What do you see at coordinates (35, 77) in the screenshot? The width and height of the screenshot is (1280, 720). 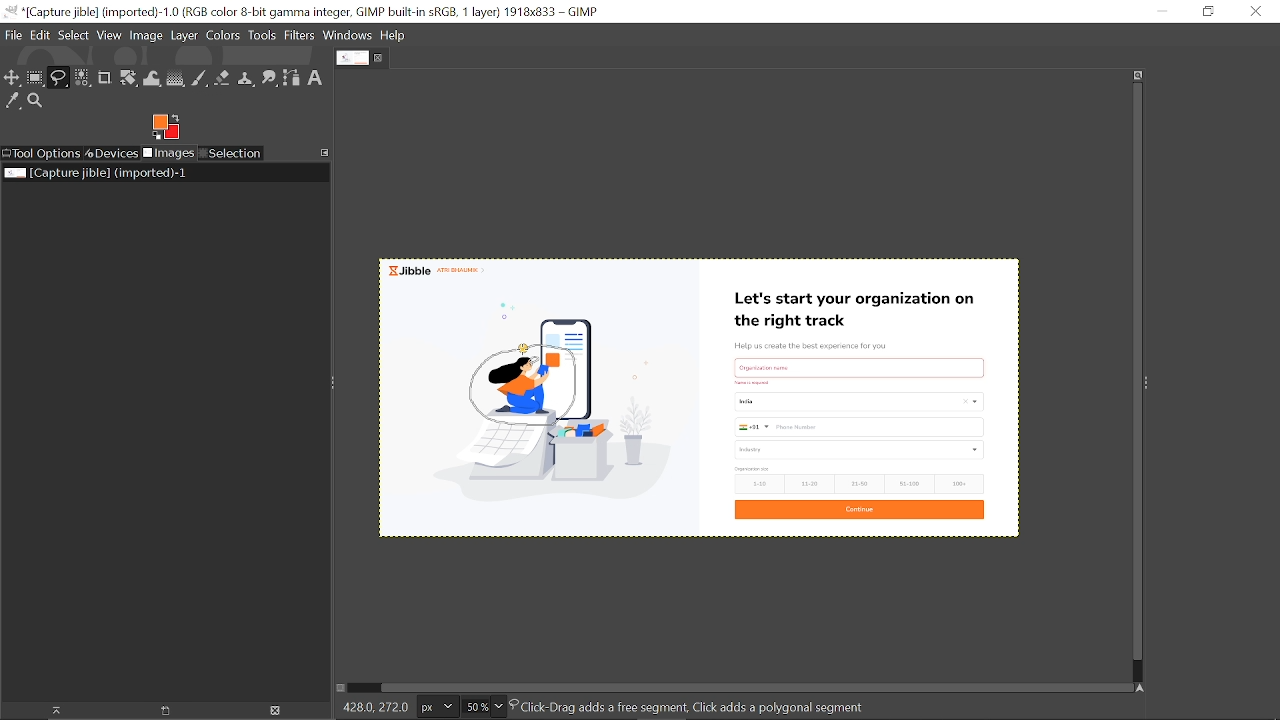 I see `Rectangular select tool` at bounding box center [35, 77].